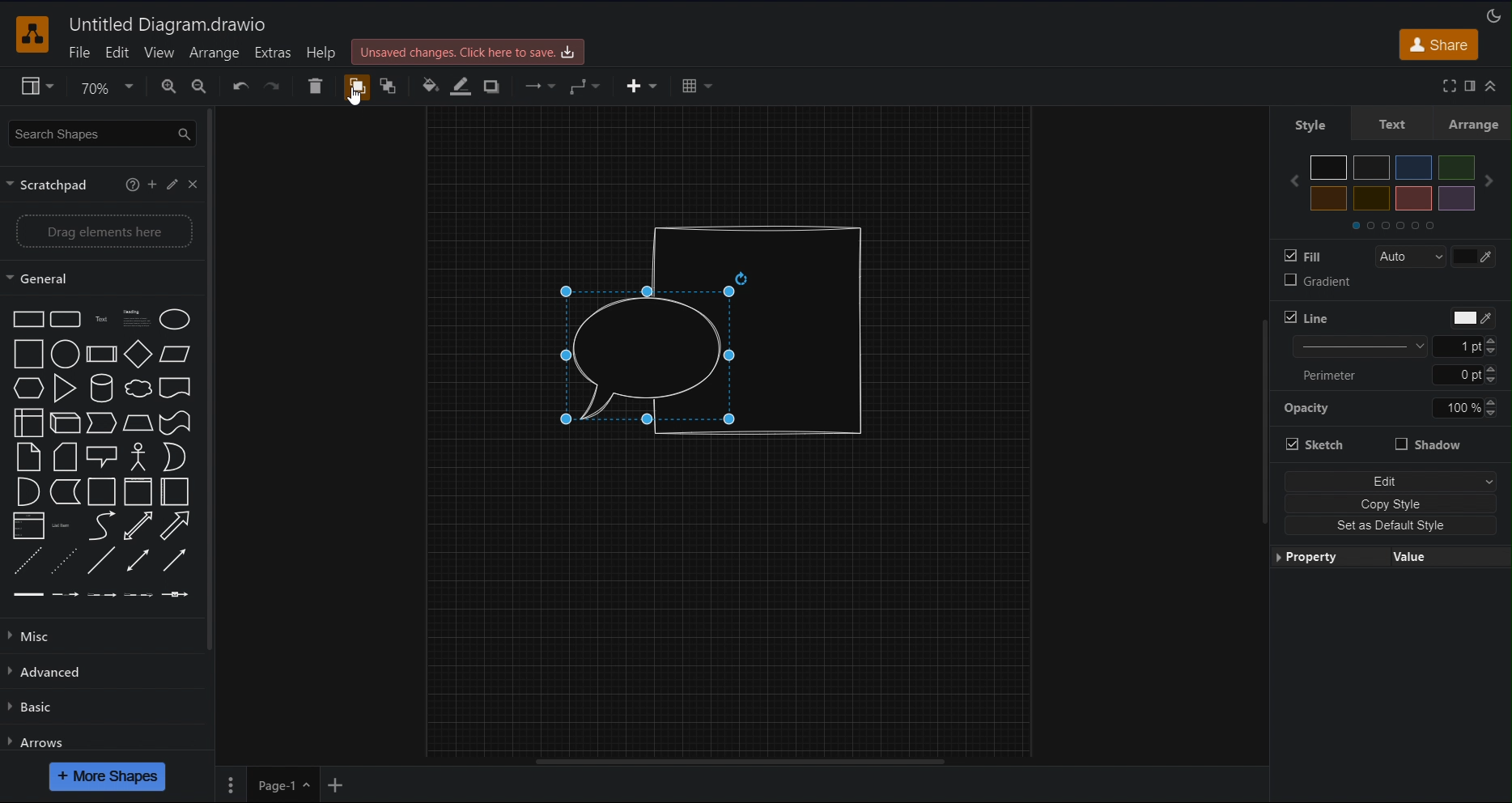  I want to click on Drag elements here, so click(100, 232).